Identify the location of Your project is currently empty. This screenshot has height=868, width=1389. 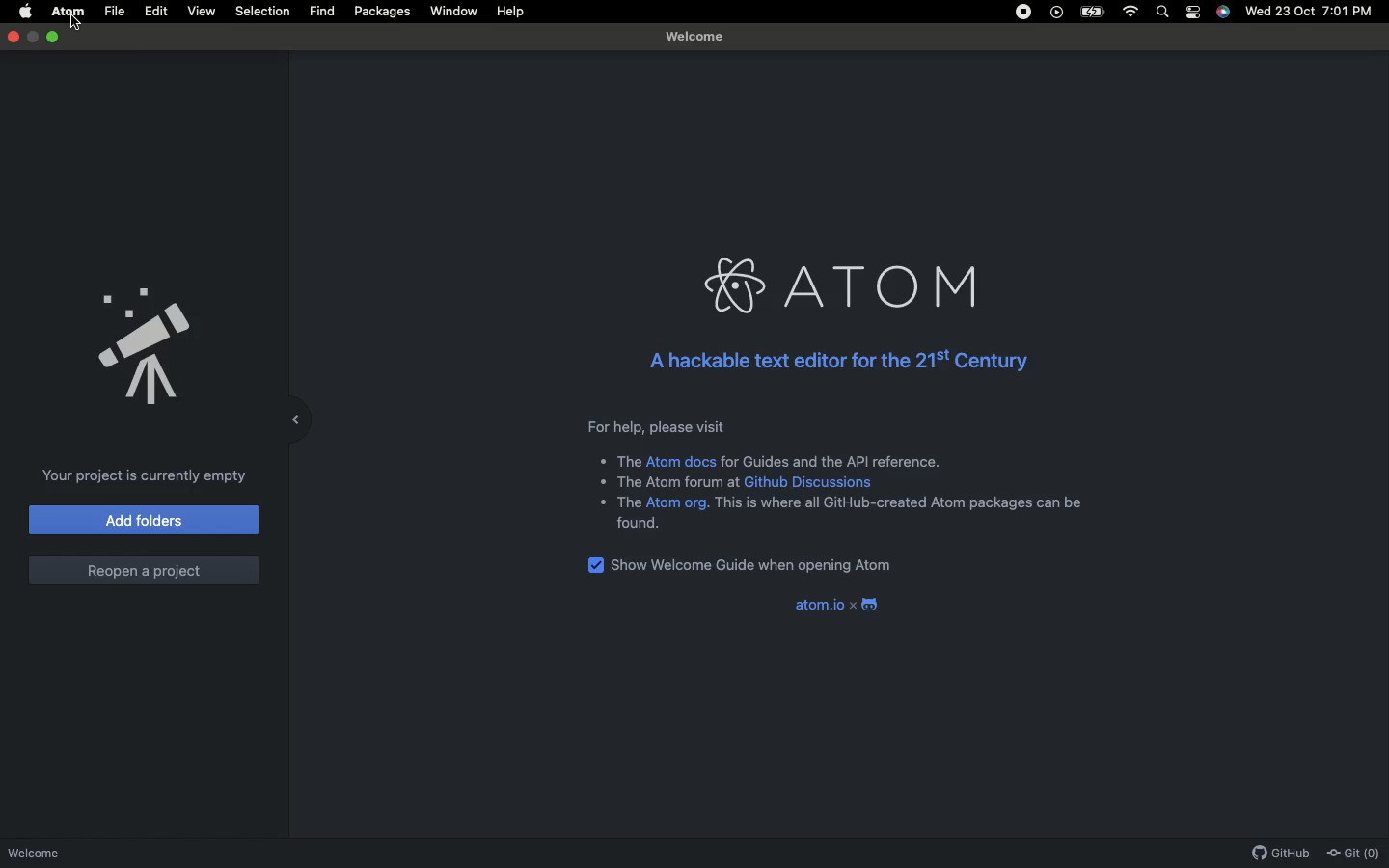
(146, 475).